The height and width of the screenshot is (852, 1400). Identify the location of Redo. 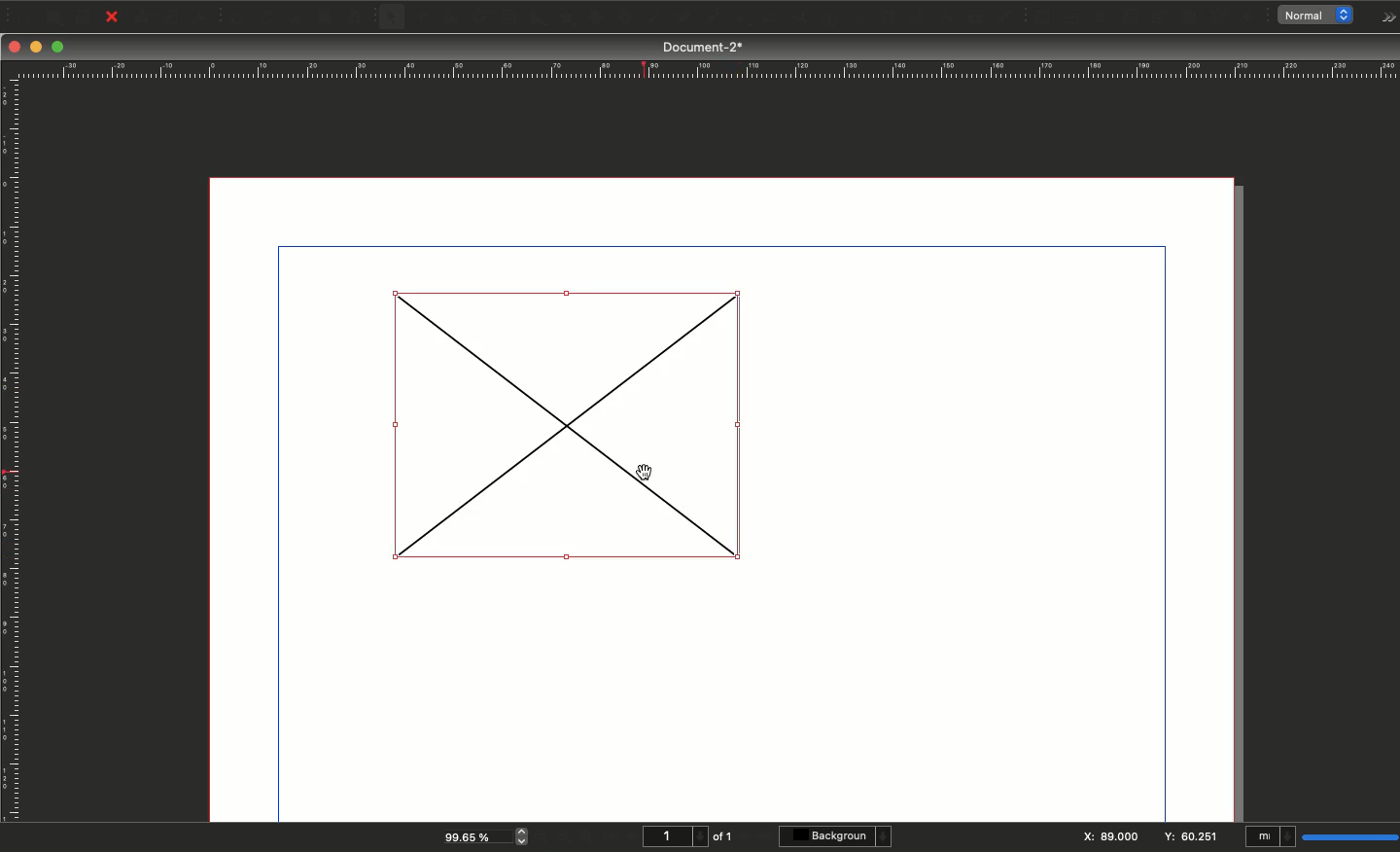
(267, 18).